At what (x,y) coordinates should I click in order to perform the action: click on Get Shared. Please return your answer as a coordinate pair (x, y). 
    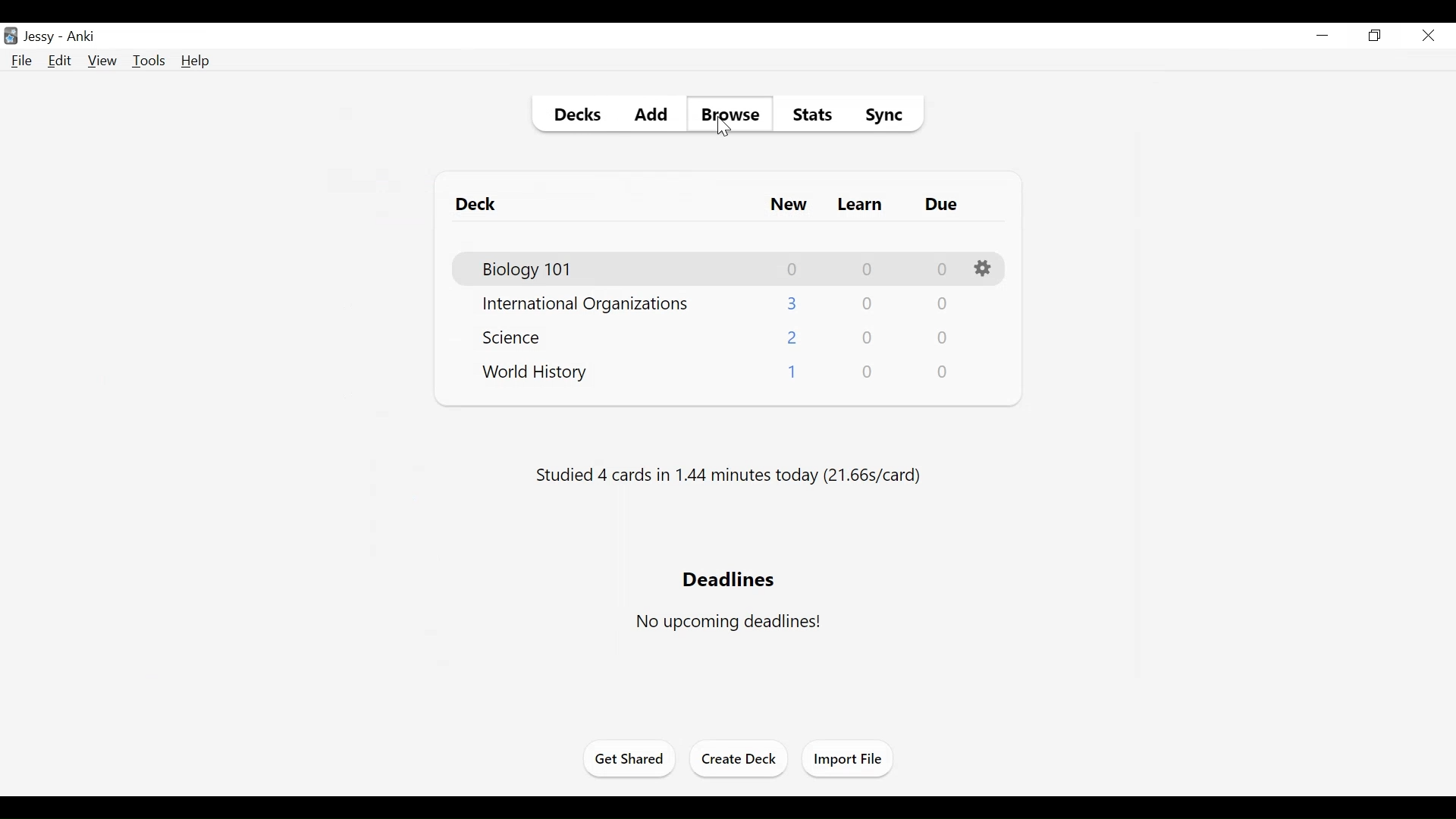
    Looking at the image, I should click on (627, 761).